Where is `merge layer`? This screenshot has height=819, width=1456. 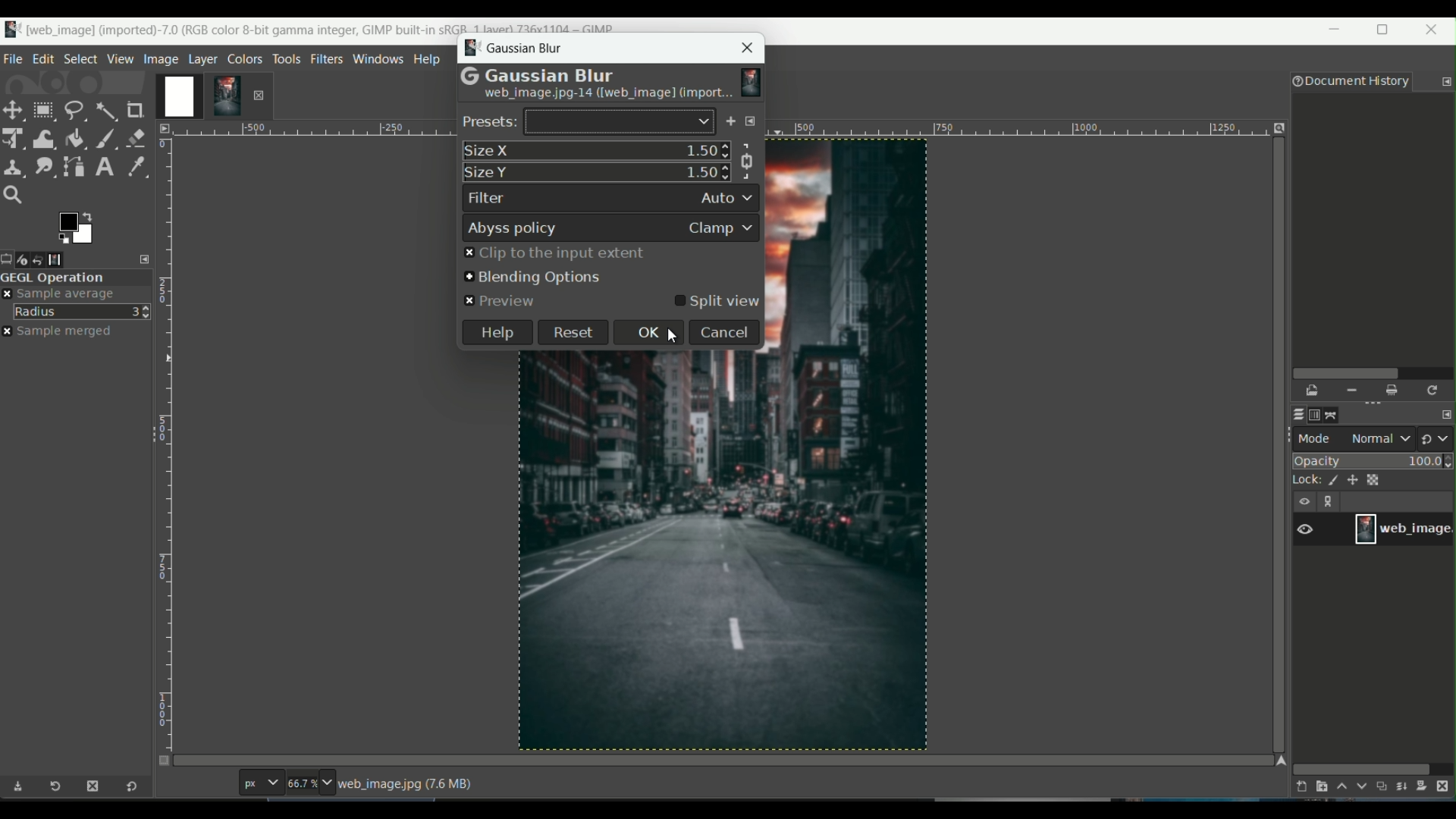
merge layer is located at coordinates (1403, 787).